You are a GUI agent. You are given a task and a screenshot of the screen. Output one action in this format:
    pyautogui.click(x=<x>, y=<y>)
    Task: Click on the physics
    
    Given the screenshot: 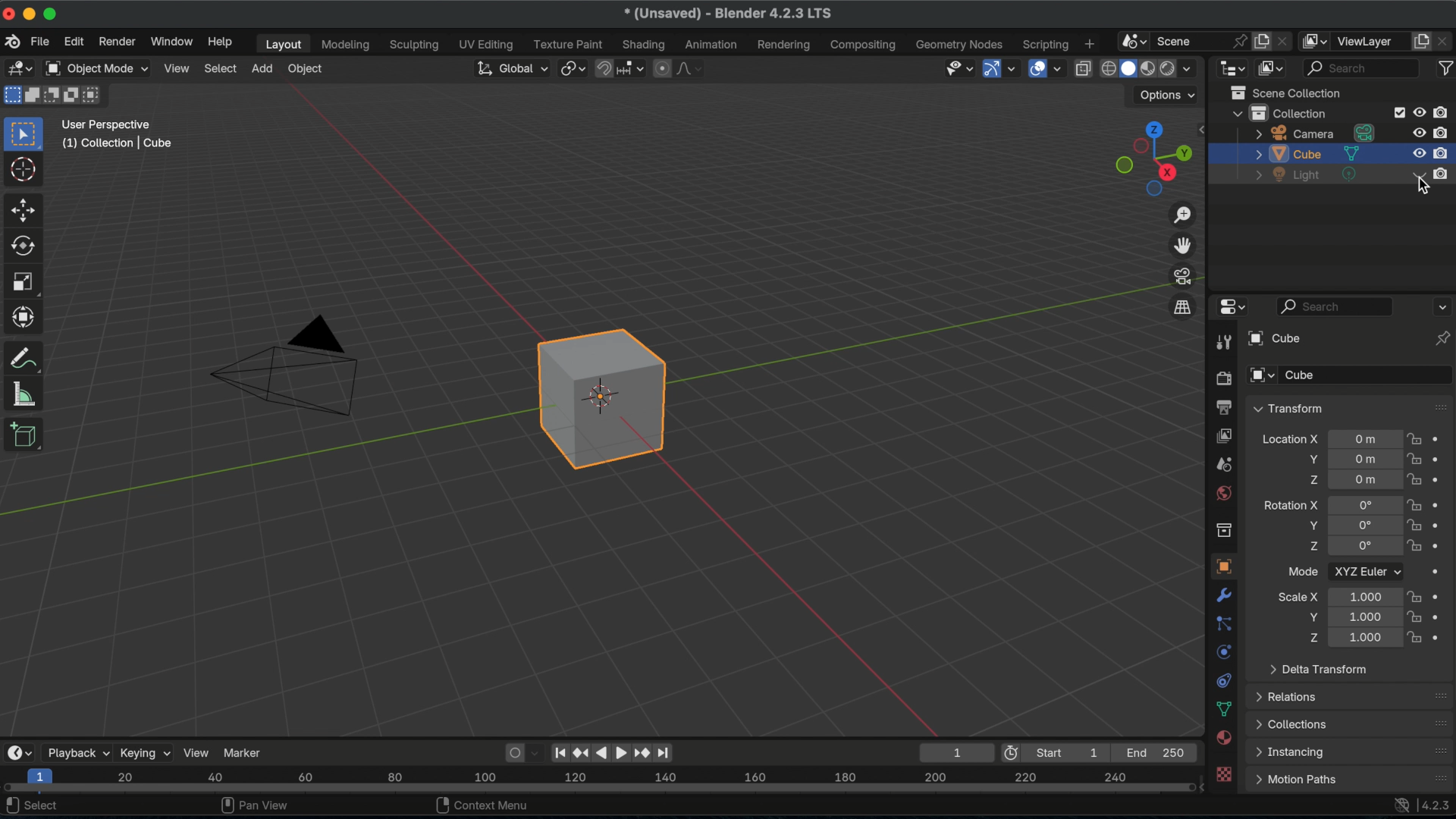 What is the action you would take?
    pyautogui.click(x=1223, y=651)
    